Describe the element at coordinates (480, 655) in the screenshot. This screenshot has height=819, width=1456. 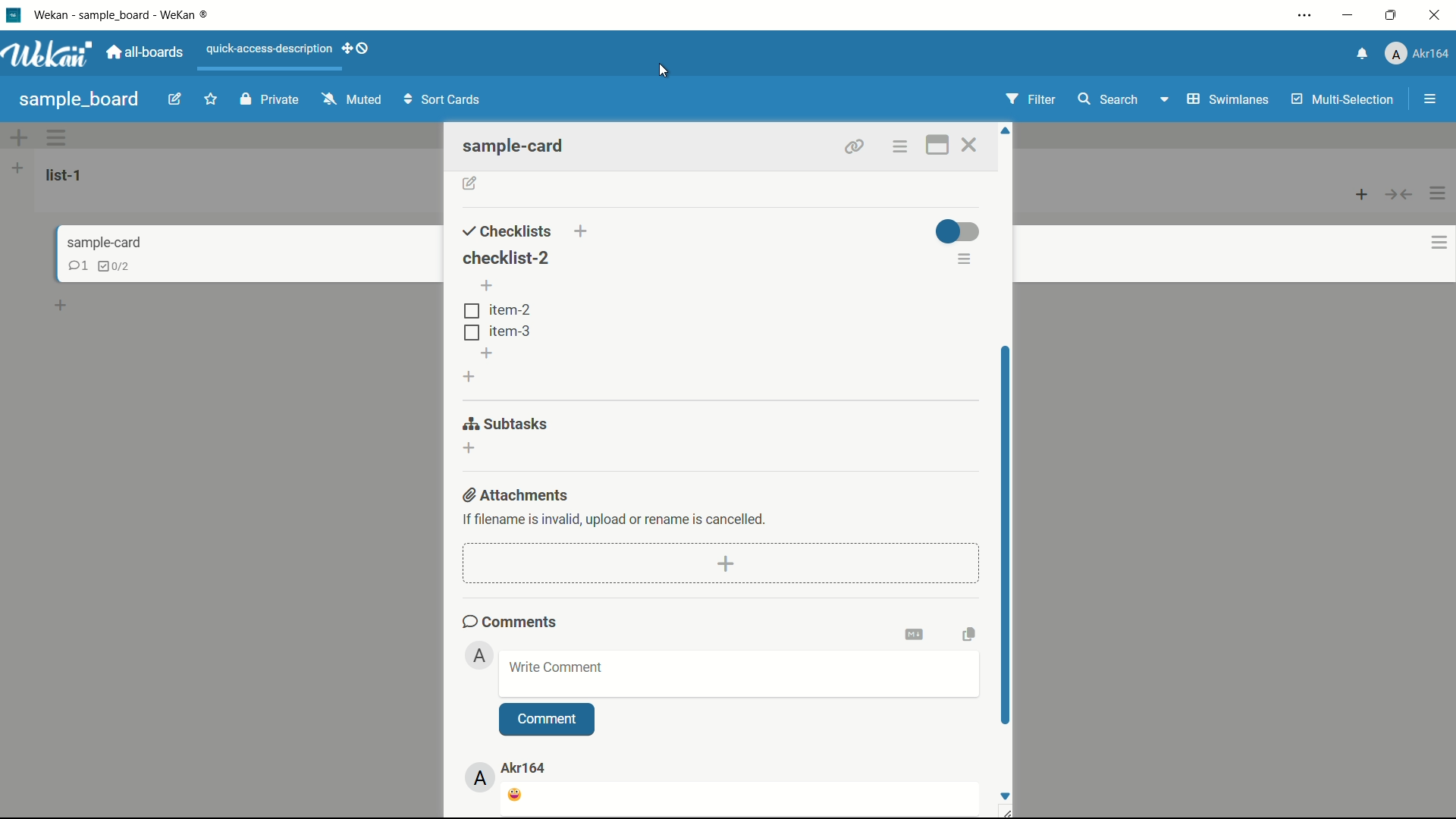
I see `admin` at that location.